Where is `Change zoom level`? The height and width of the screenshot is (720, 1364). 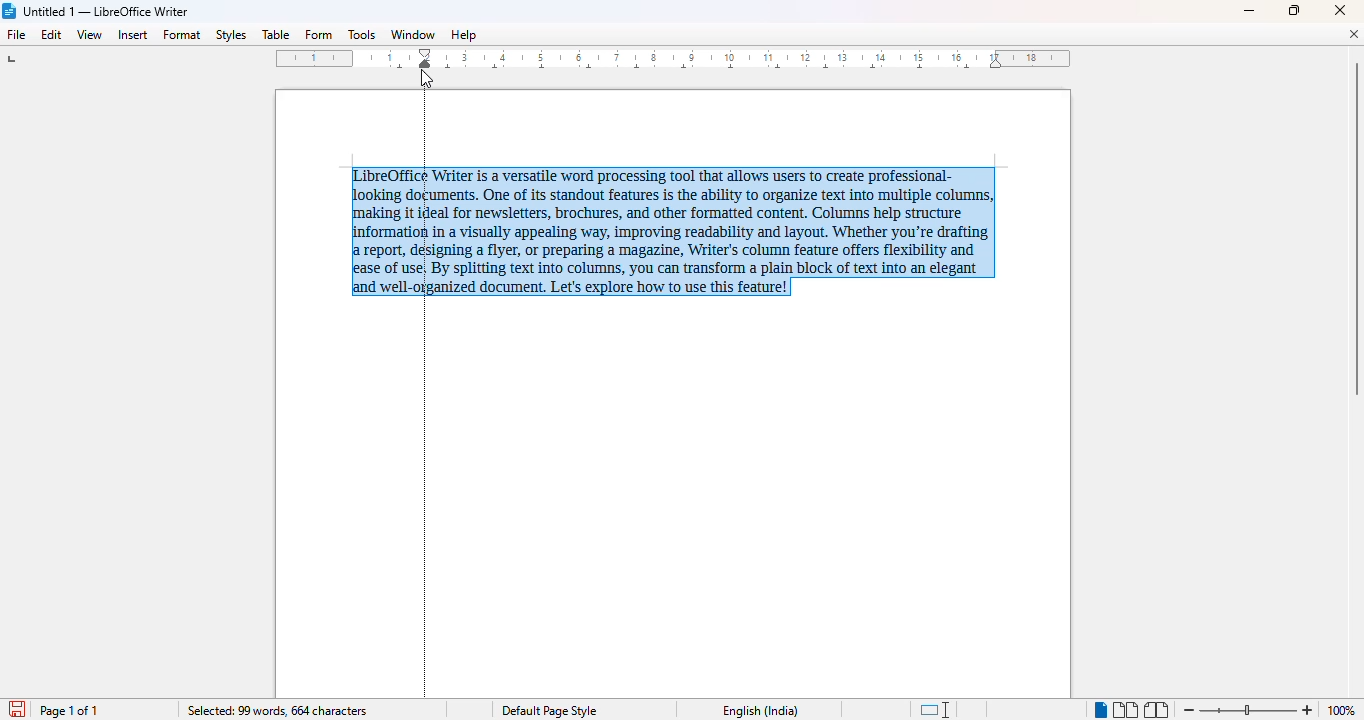
Change zoom level is located at coordinates (1248, 707).